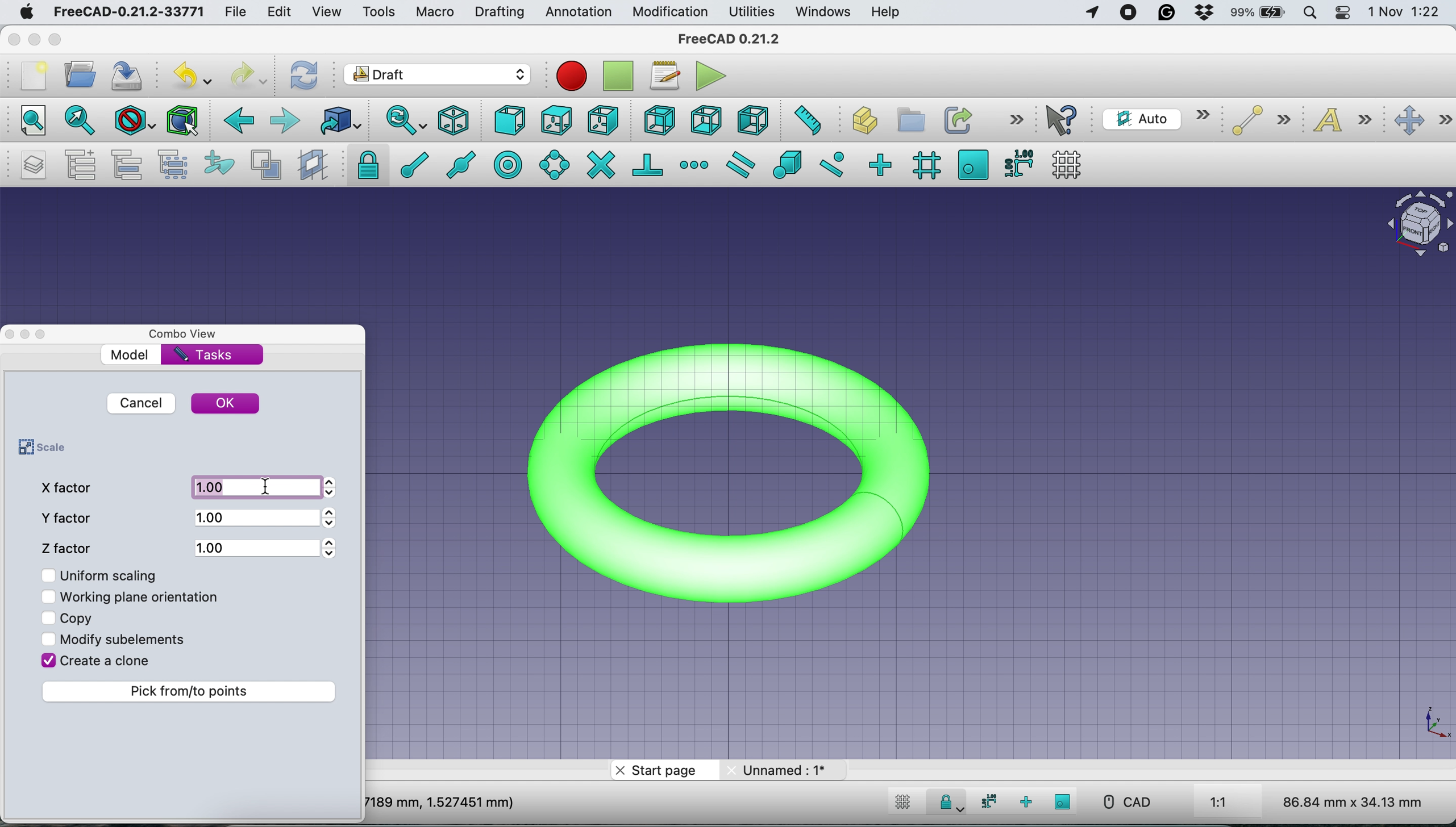  What do you see at coordinates (744, 164) in the screenshot?
I see `snap parallel` at bounding box center [744, 164].